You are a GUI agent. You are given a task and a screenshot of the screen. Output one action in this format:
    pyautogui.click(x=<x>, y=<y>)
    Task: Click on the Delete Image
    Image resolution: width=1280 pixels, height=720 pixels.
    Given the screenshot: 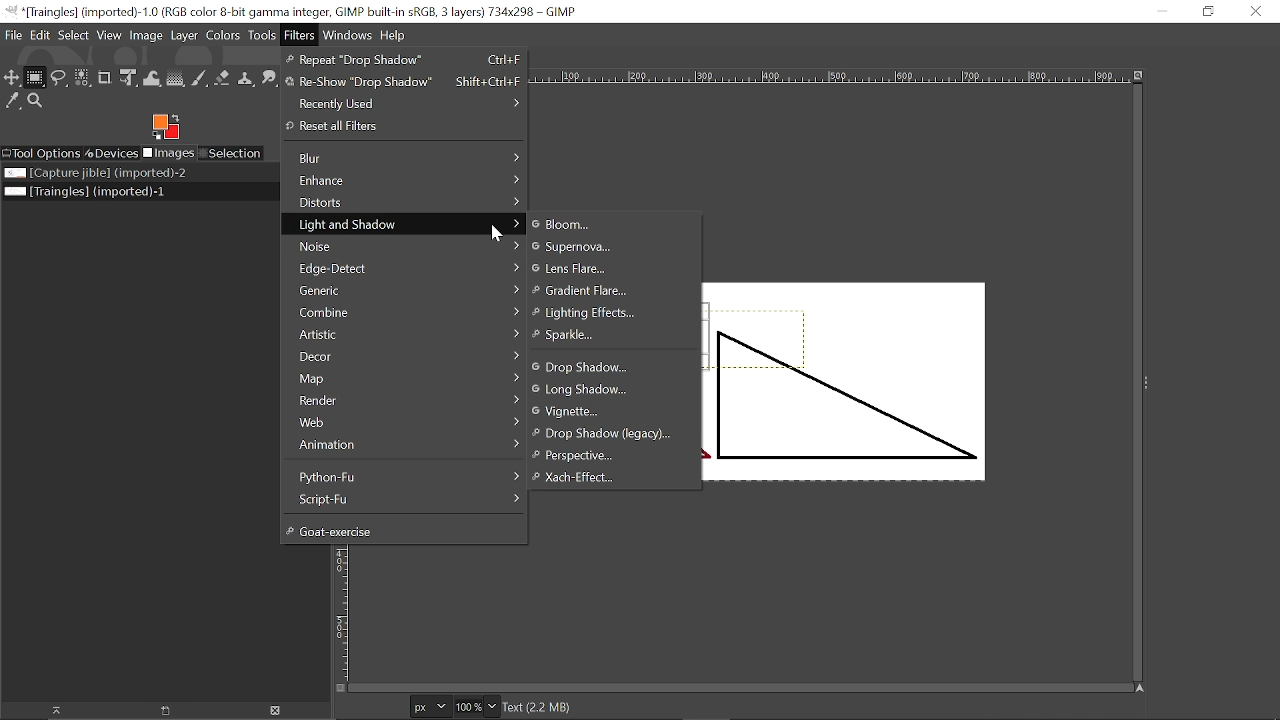 What is the action you would take?
    pyautogui.click(x=274, y=710)
    